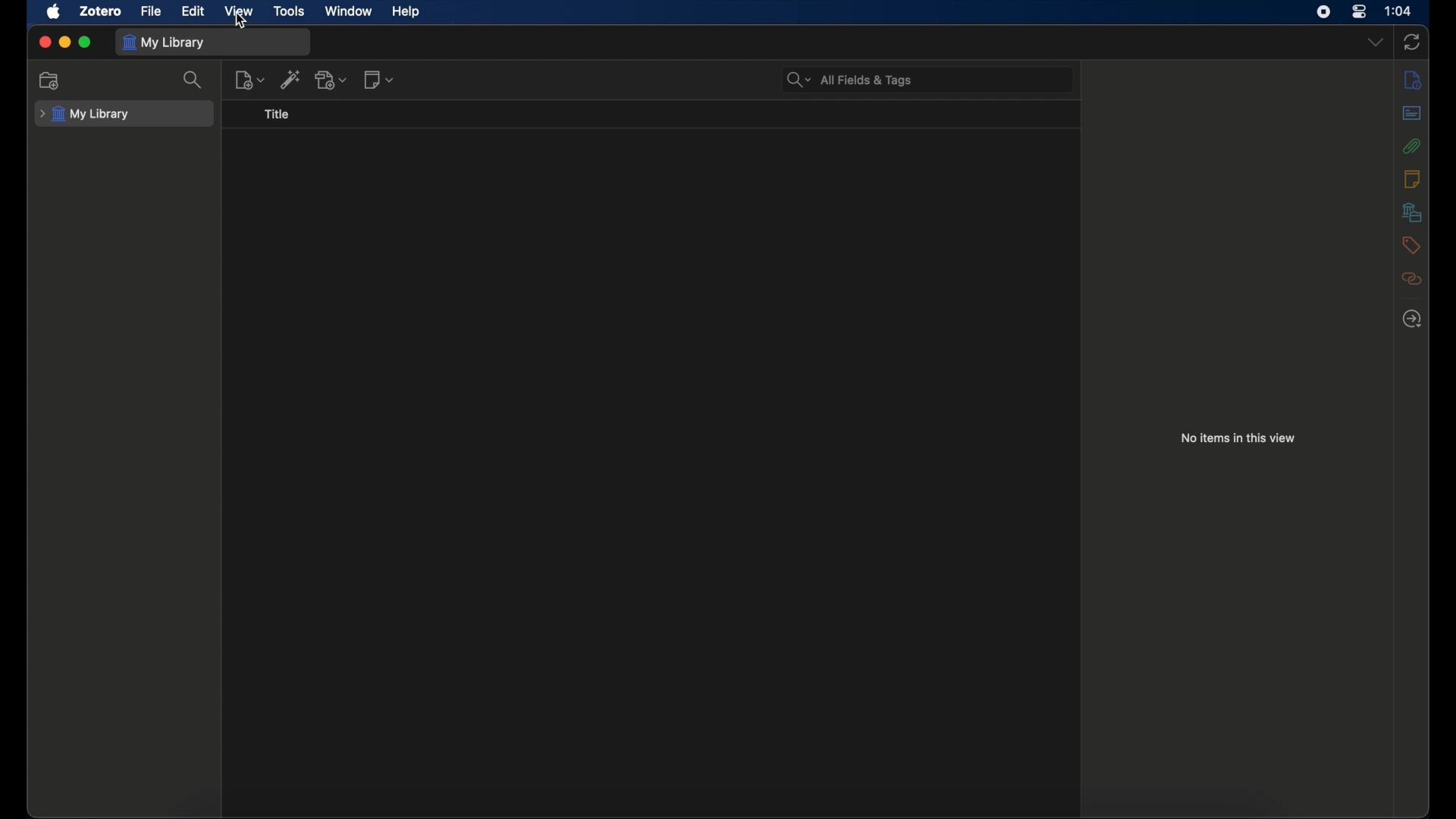 This screenshot has height=819, width=1456. What do you see at coordinates (1412, 42) in the screenshot?
I see `sync` at bounding box center [1412, 42].